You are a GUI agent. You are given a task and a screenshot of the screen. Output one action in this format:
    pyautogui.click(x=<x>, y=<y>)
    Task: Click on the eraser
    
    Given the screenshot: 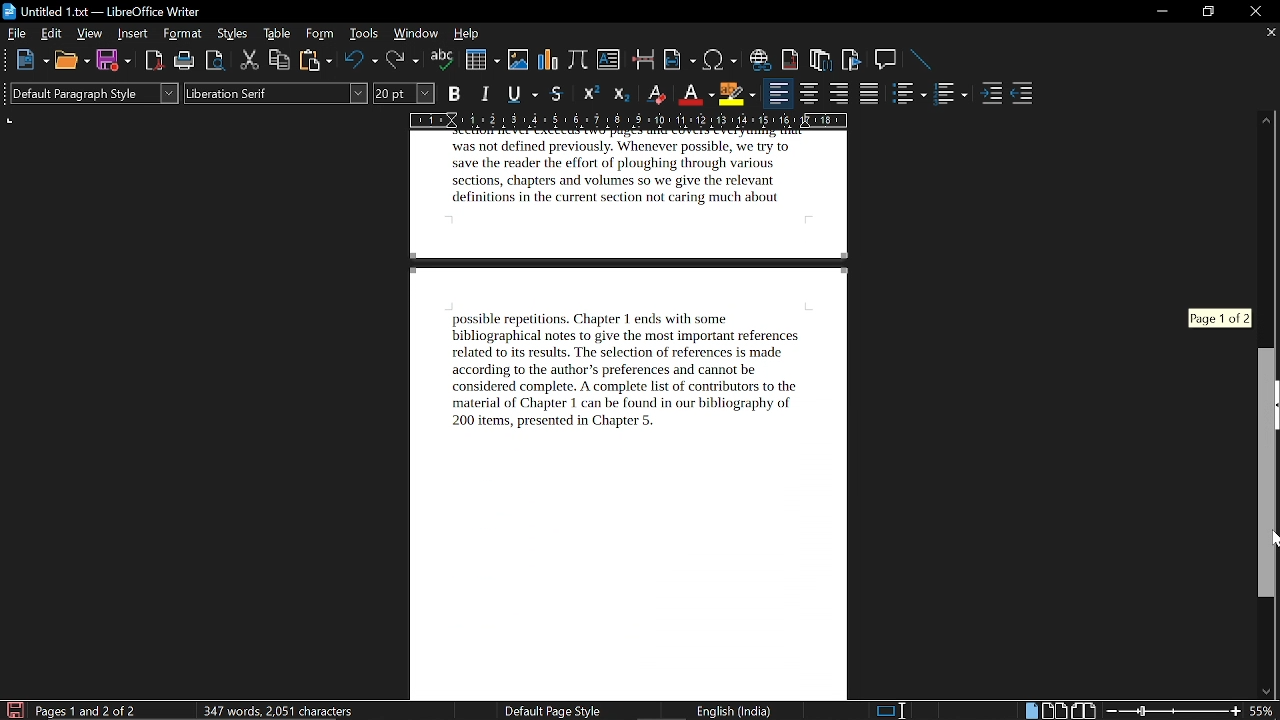 What is the action you would take?
    pyautogui.click(x=657, y=93)
    